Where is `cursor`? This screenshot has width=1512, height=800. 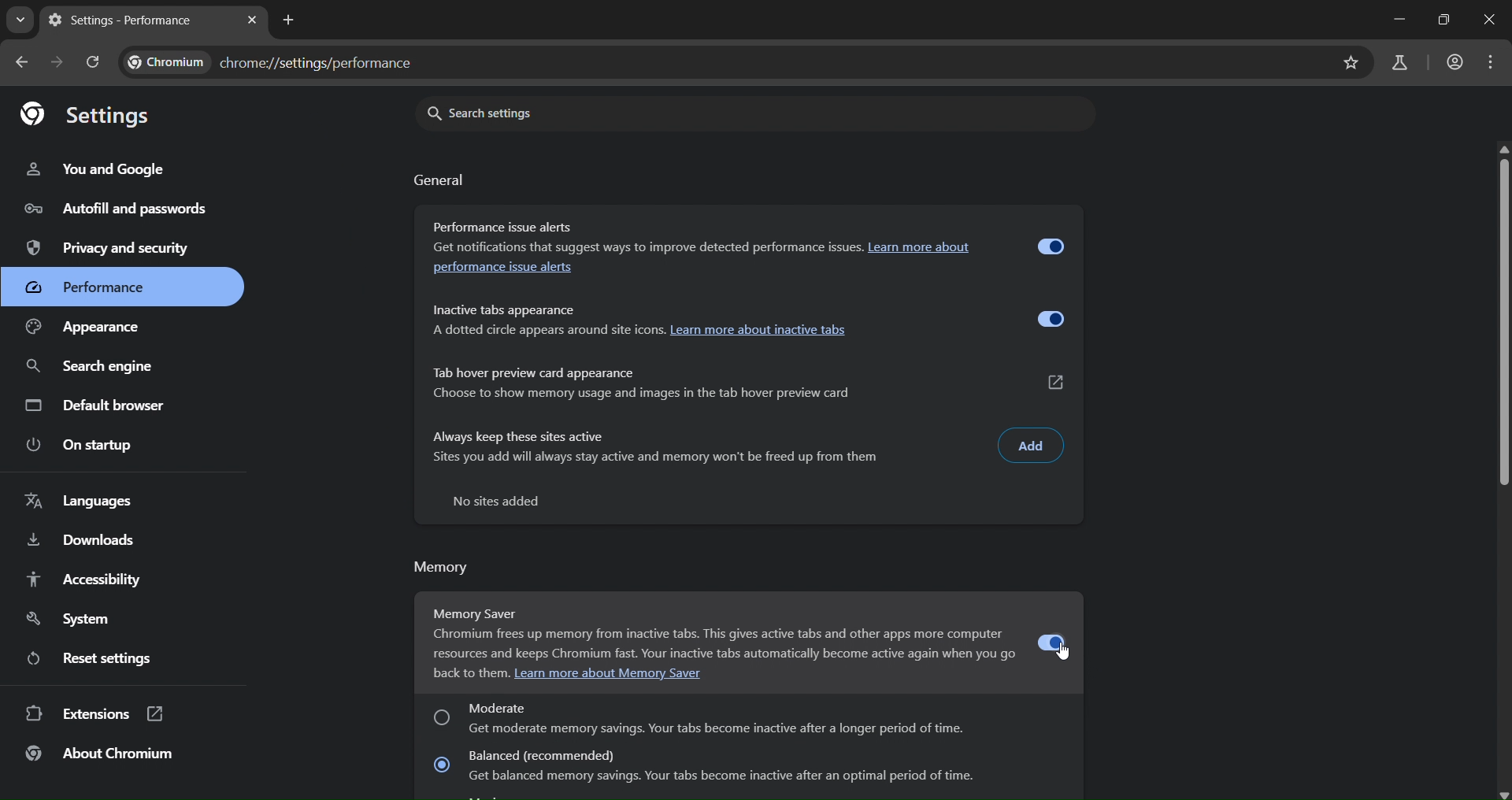
cursor is located at coordinates (1065, 650).